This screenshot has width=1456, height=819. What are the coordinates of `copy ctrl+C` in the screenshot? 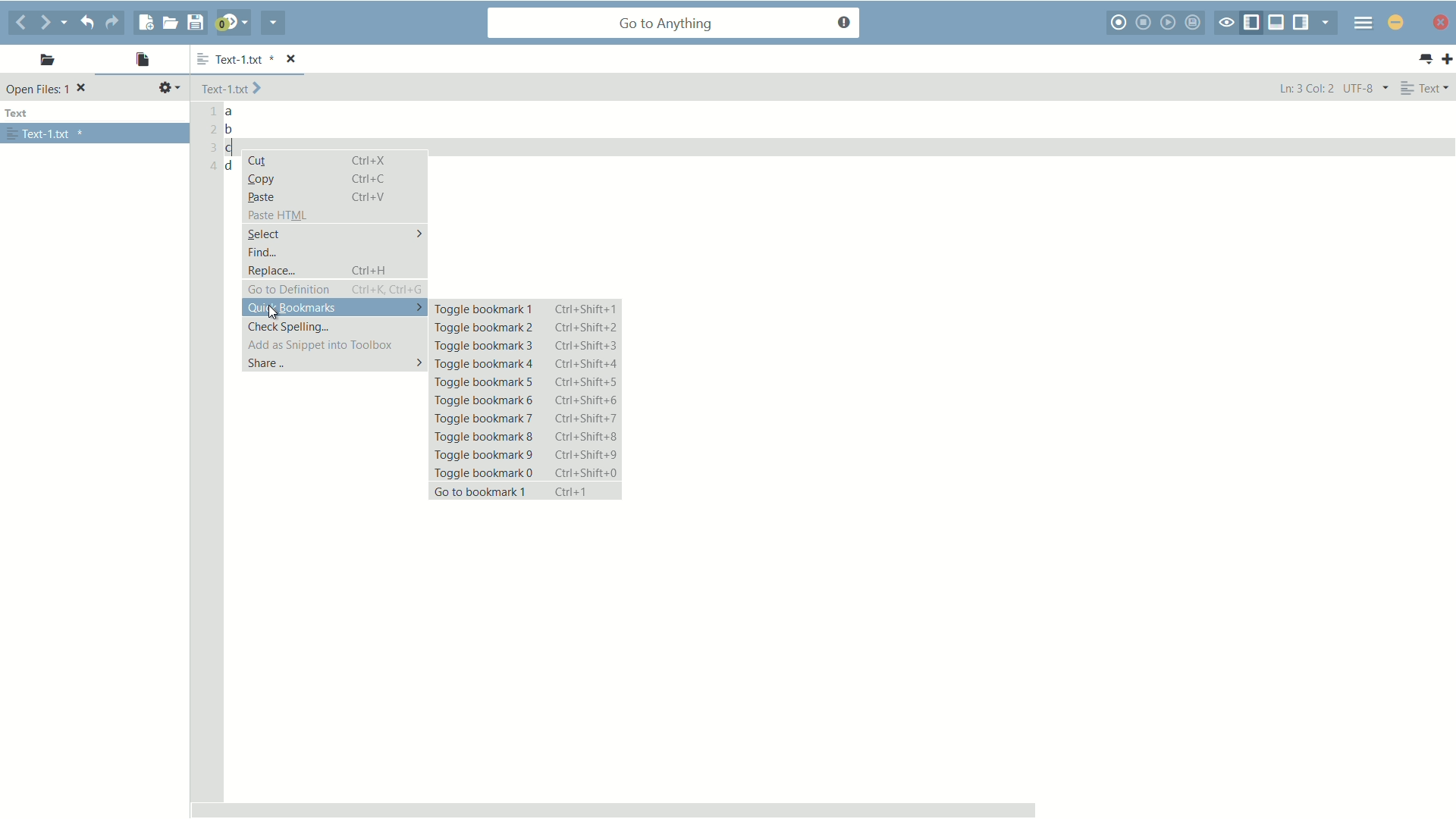 It's located at (324, 178).